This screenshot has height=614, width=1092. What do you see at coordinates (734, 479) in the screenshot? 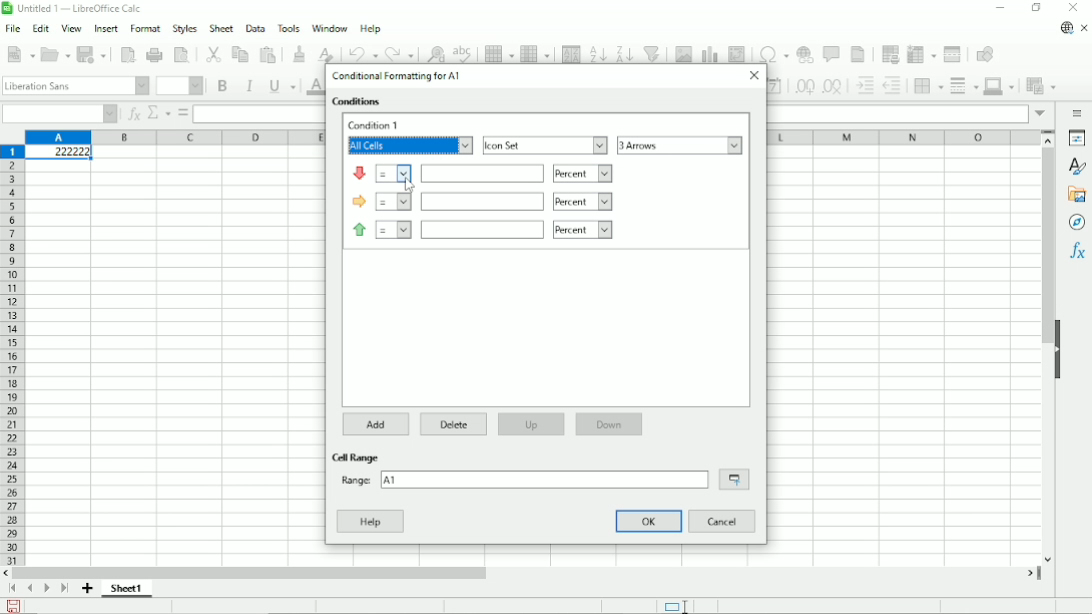
I see `Shrink` at bounding box center [734, 479].